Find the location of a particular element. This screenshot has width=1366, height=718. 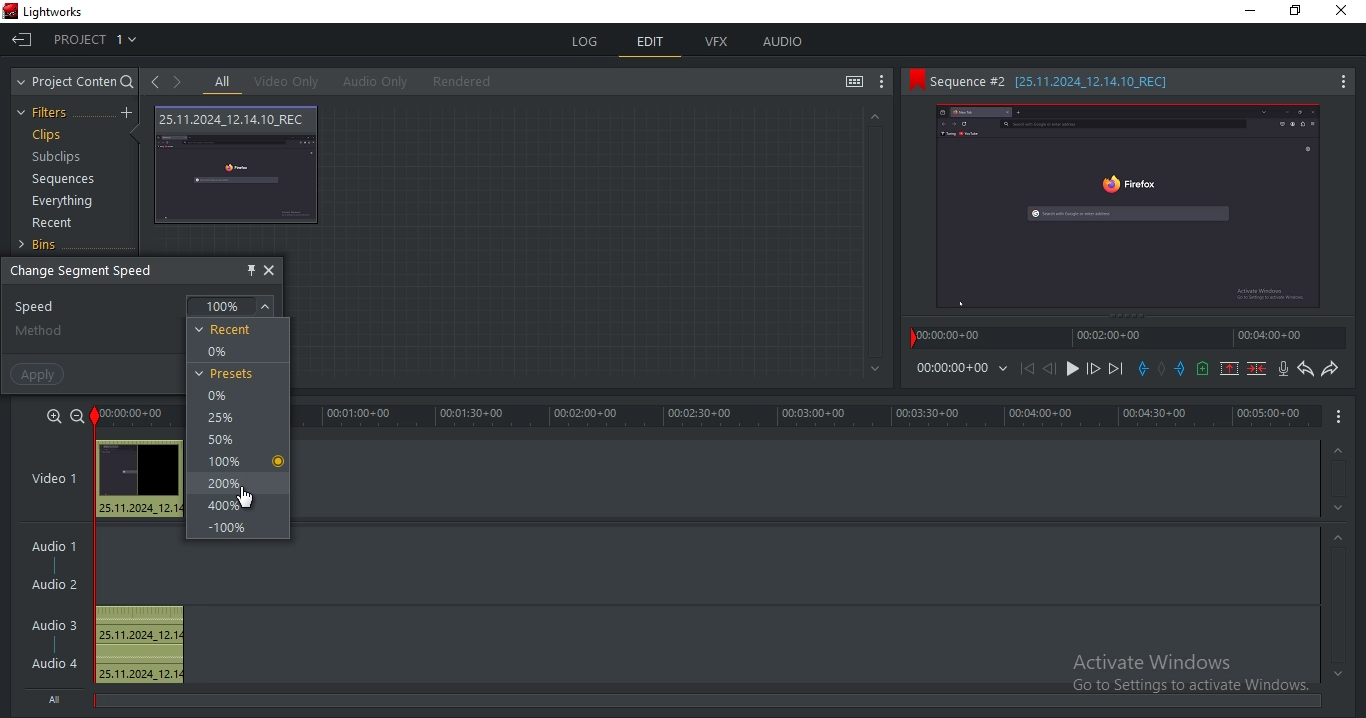

audio is located at coordinates (783, 42).